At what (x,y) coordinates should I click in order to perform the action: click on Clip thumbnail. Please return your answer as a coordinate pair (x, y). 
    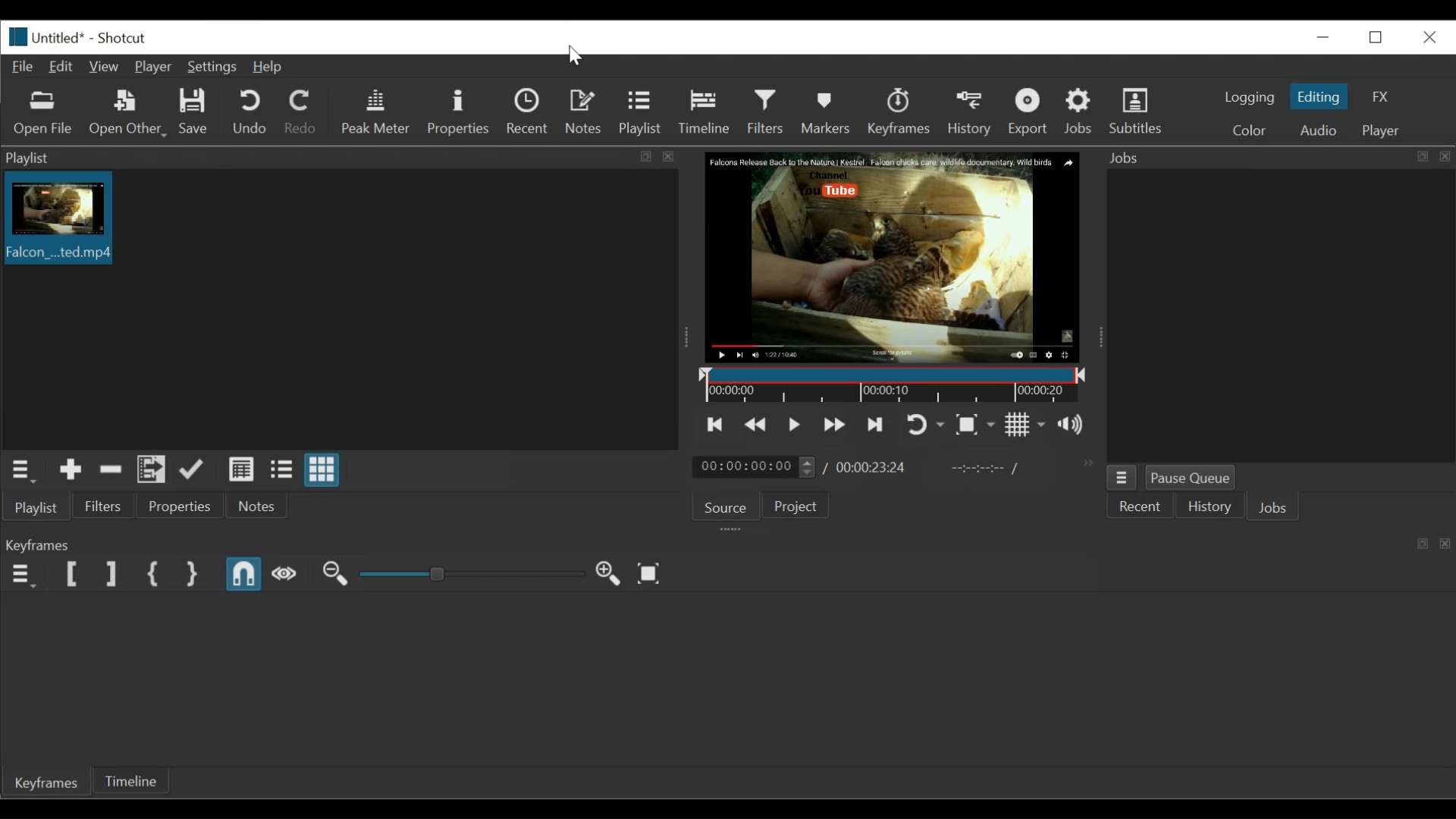
    Looking at the image, I should click on (340, 309).